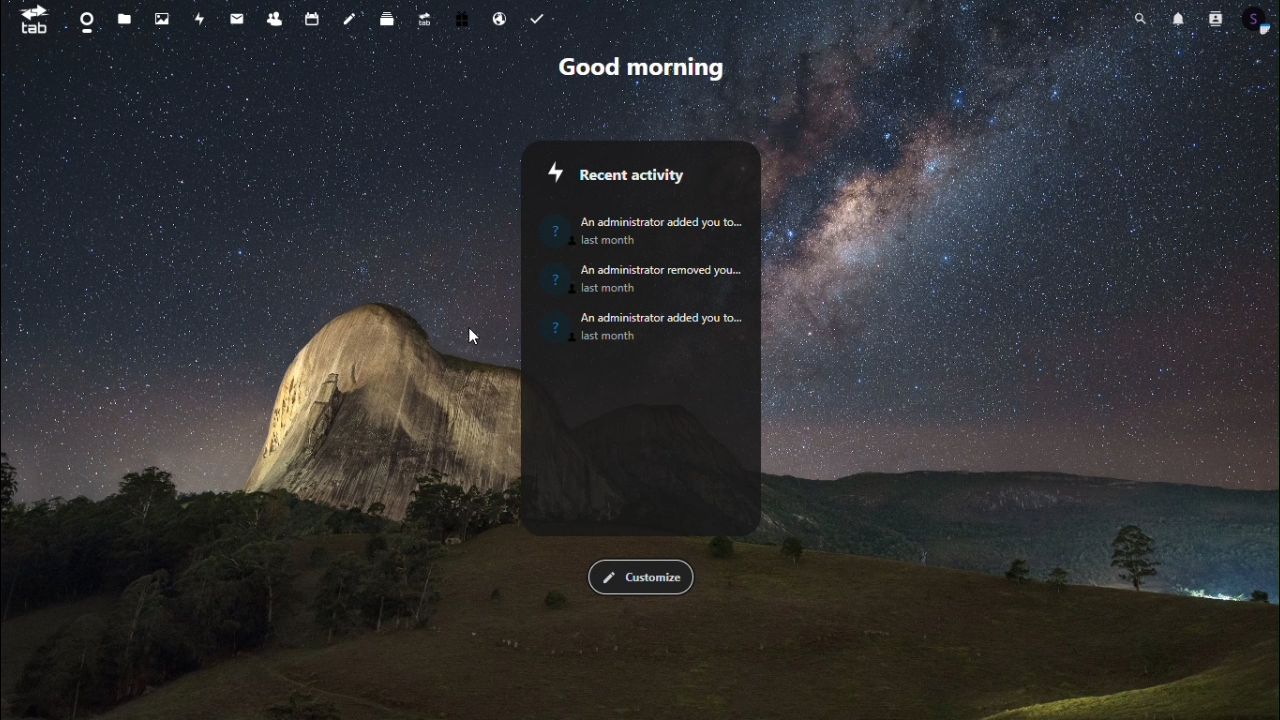 The width and height of the screenshot is (1280, 720). What do you see at coordinates (162, 17) in the screenshot?
I see `photo` at bounding box center [162, 17].